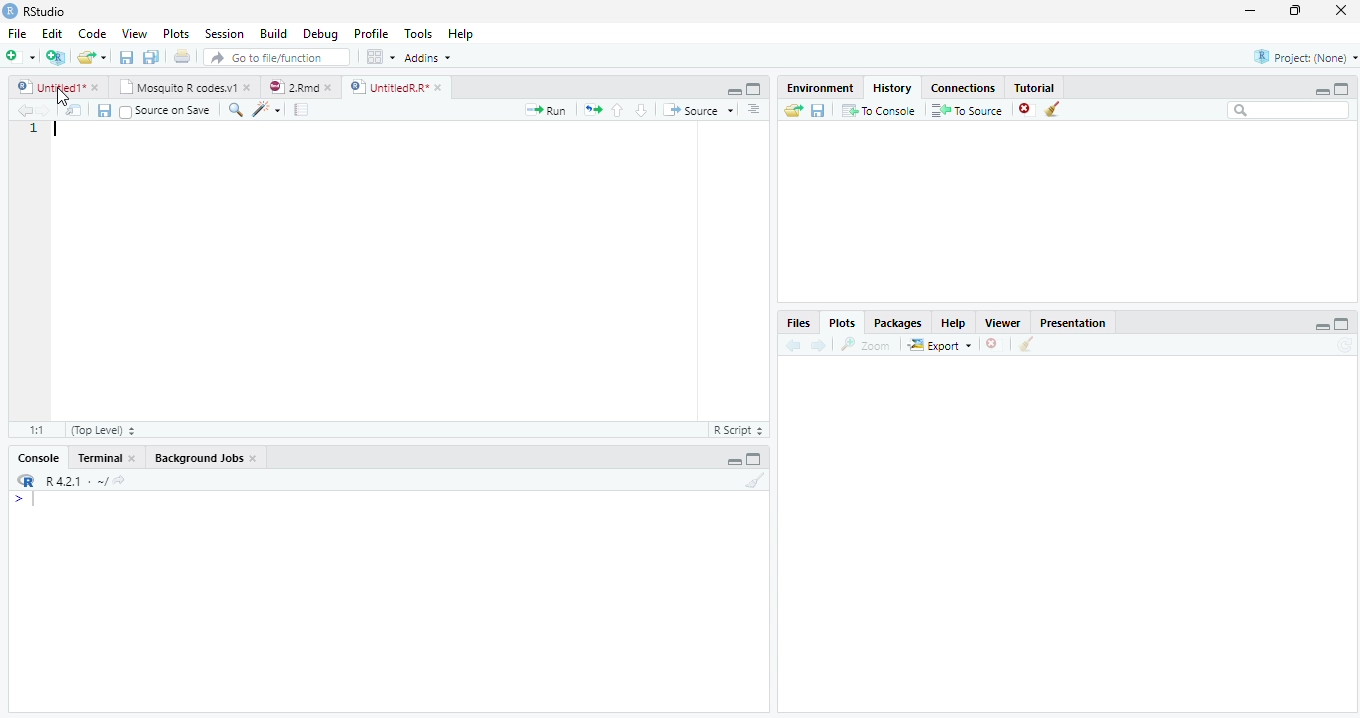 The width and height of the screenshot is (1360, 718). What do you see at coordinates (593, 110) in the screenshot?
I see `Pages` at bounding box center [593, 110].